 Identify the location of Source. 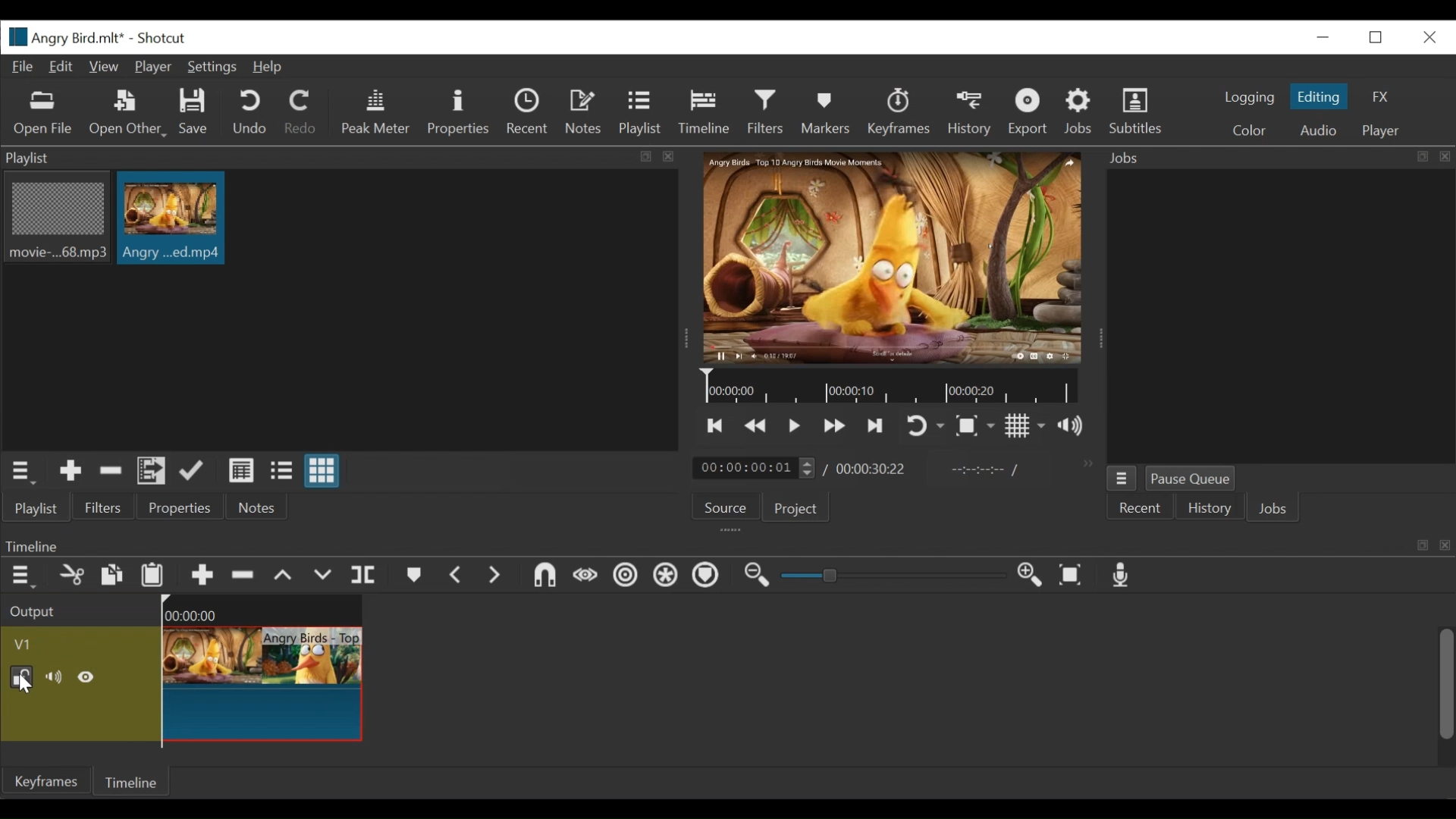
(726, 505).